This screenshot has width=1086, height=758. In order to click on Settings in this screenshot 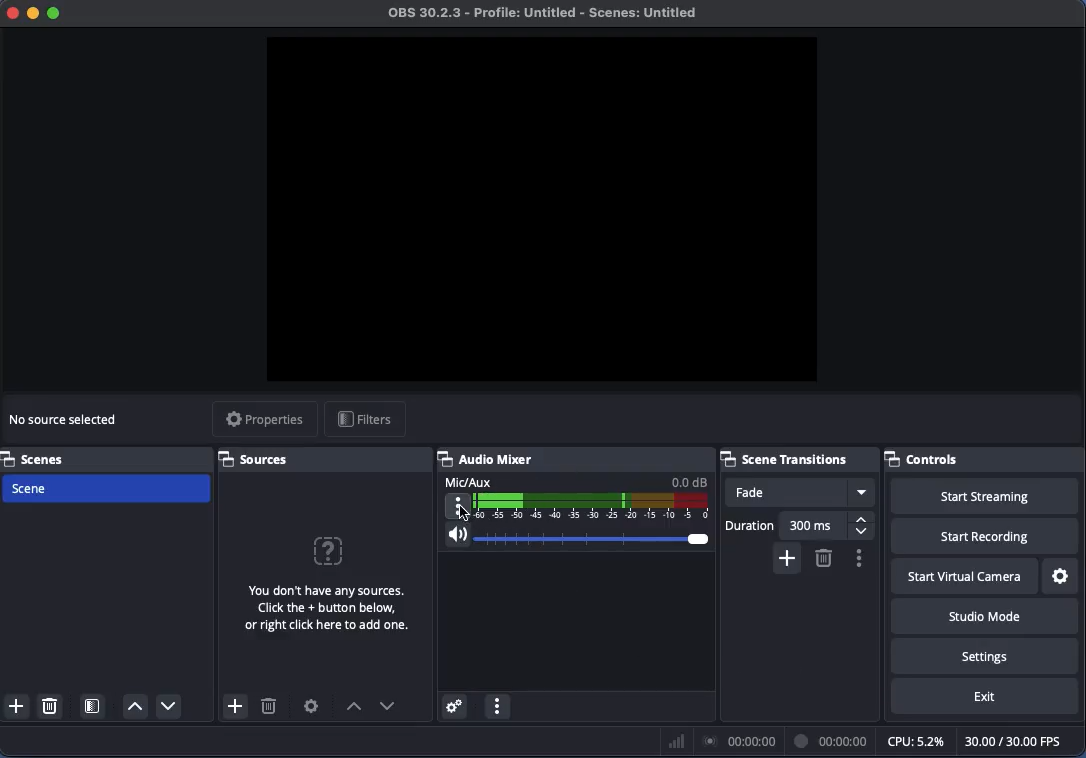, I will do `click(312, 706)`.